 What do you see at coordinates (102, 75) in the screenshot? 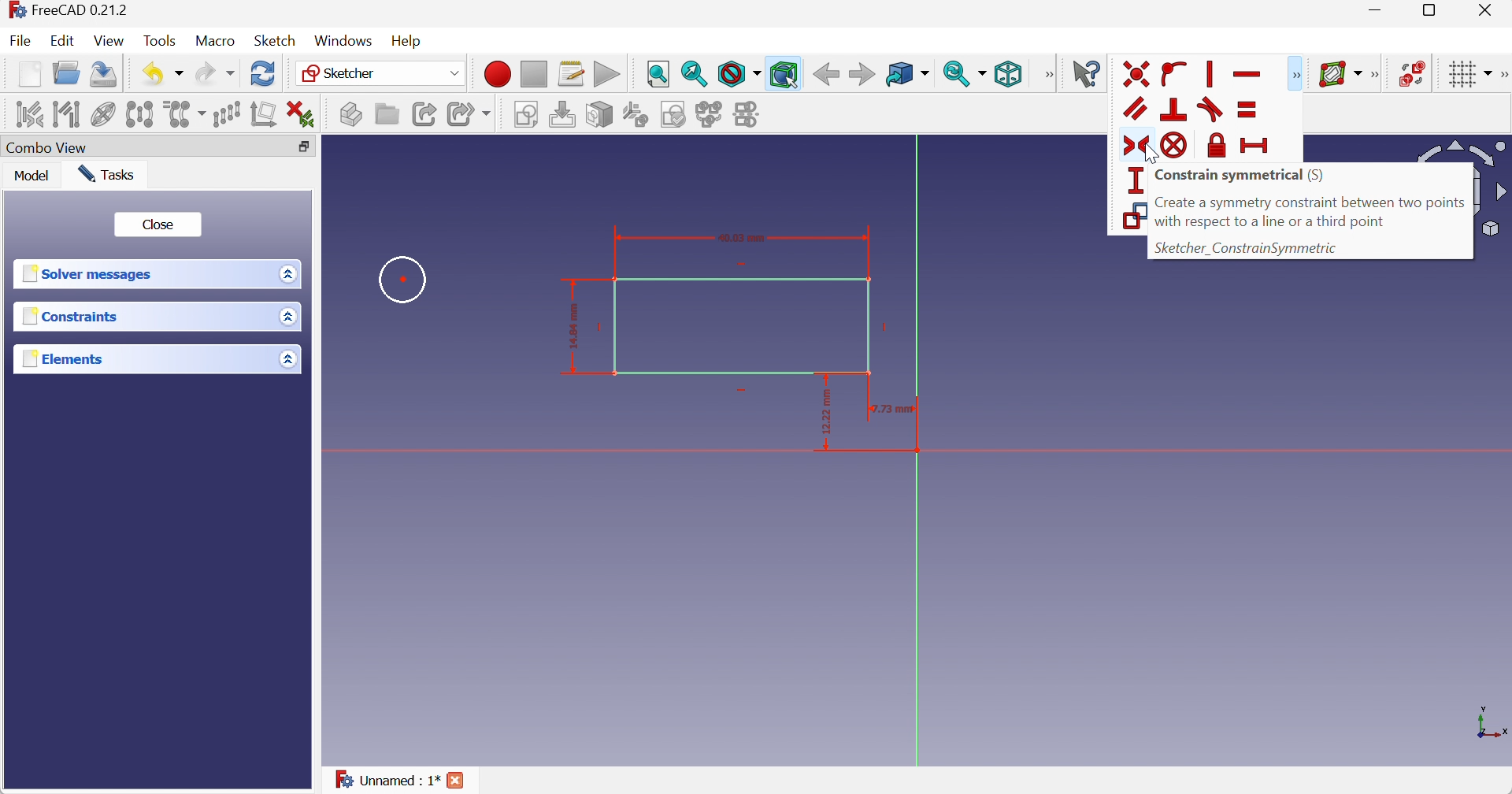
I see `Save` at bounding box center [102, 75].